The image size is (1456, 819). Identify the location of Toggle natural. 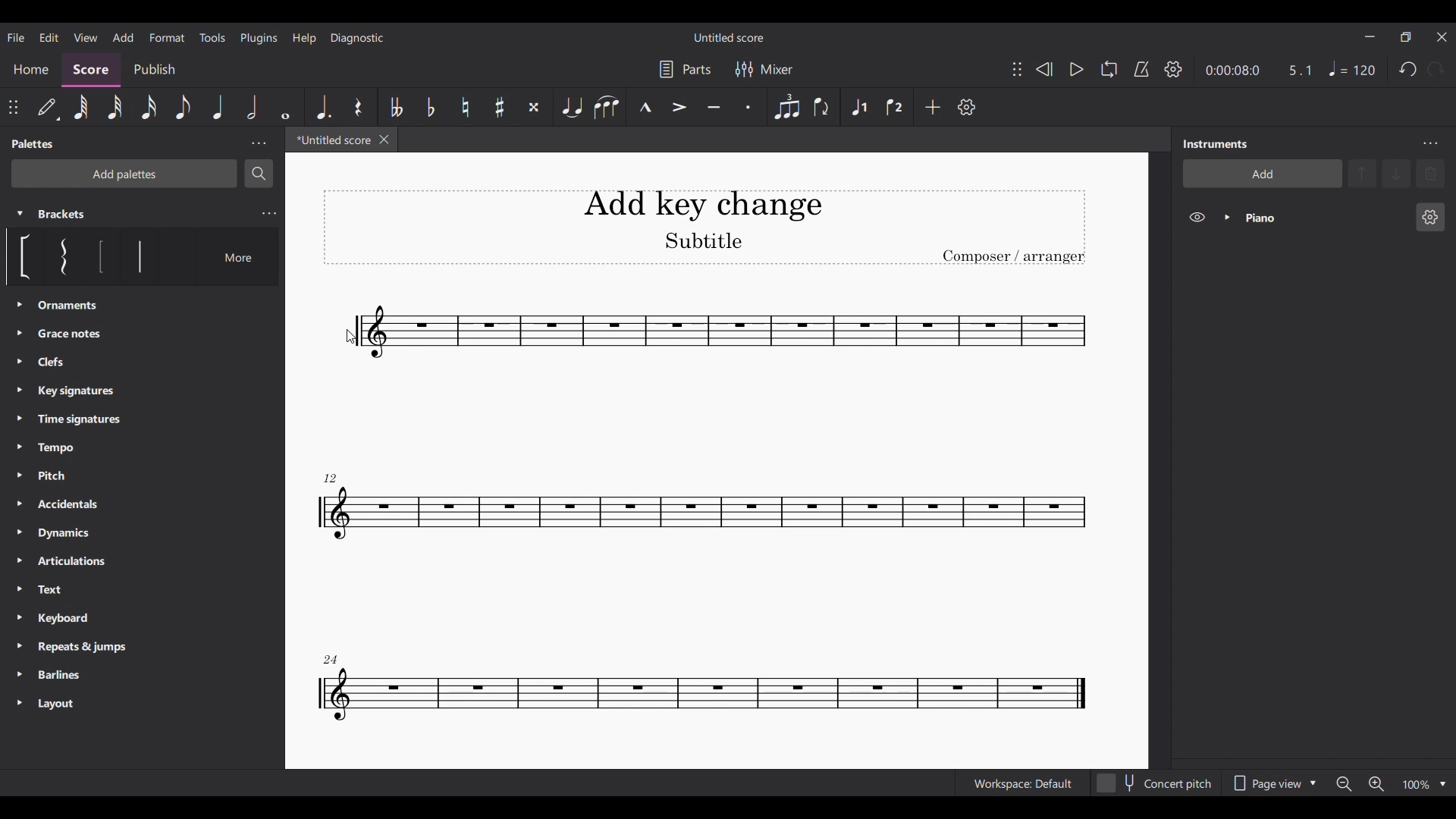
(466, 106).